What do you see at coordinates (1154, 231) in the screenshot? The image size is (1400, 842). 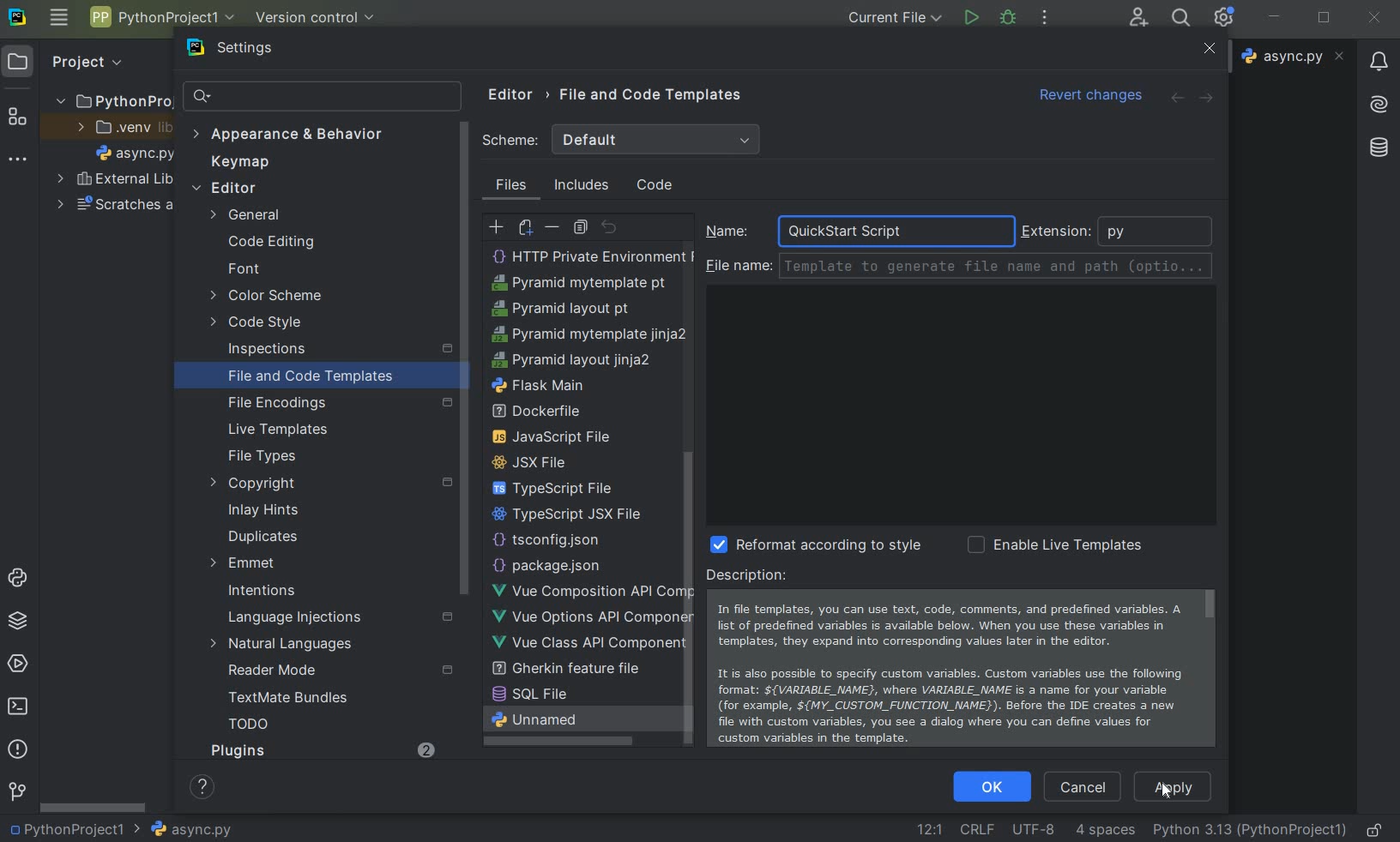 I see `python extenstion` at bounding box center [1154, 231].